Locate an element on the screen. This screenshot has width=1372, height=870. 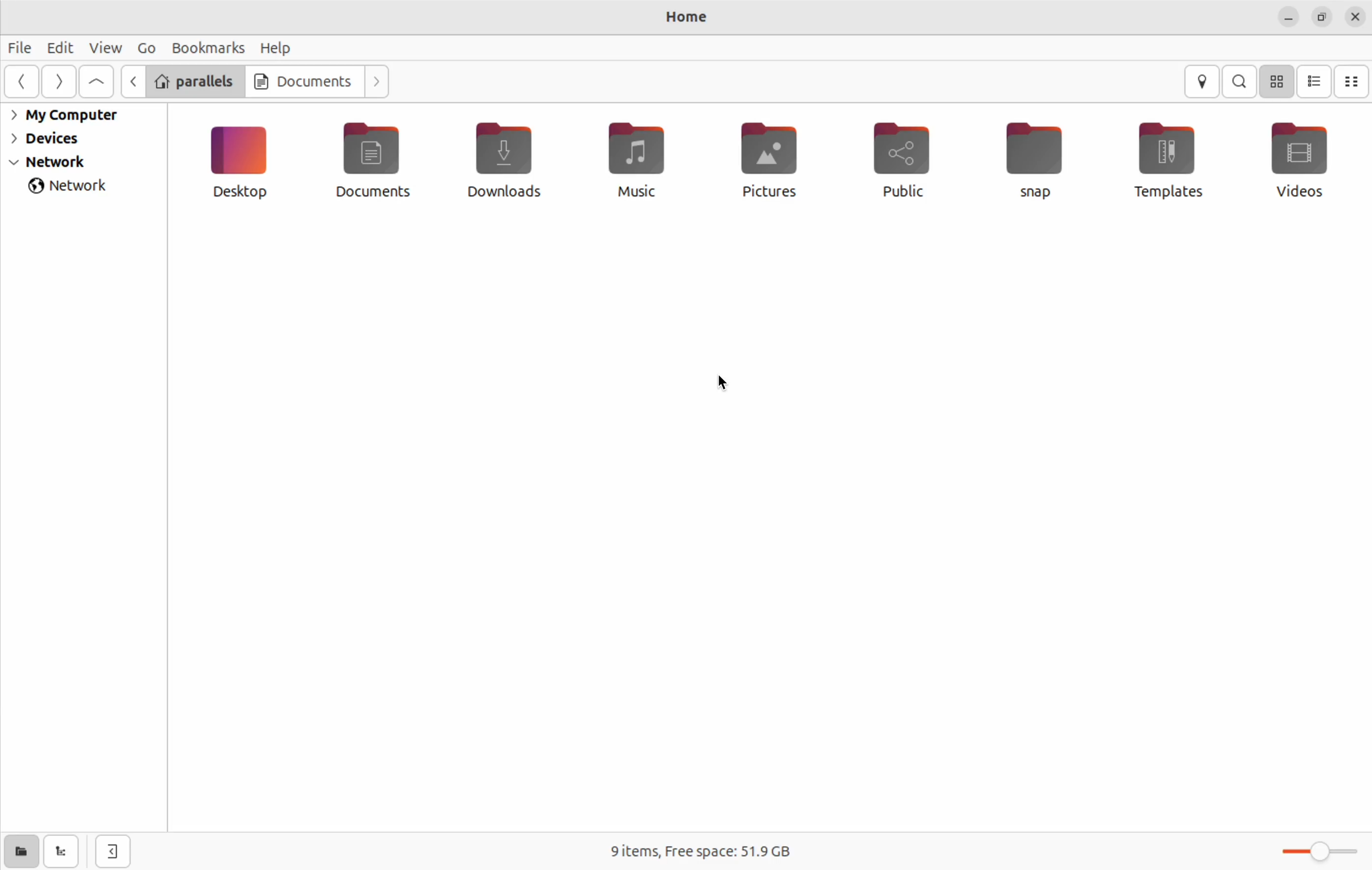
resize is located at coordinates (1322, 18).